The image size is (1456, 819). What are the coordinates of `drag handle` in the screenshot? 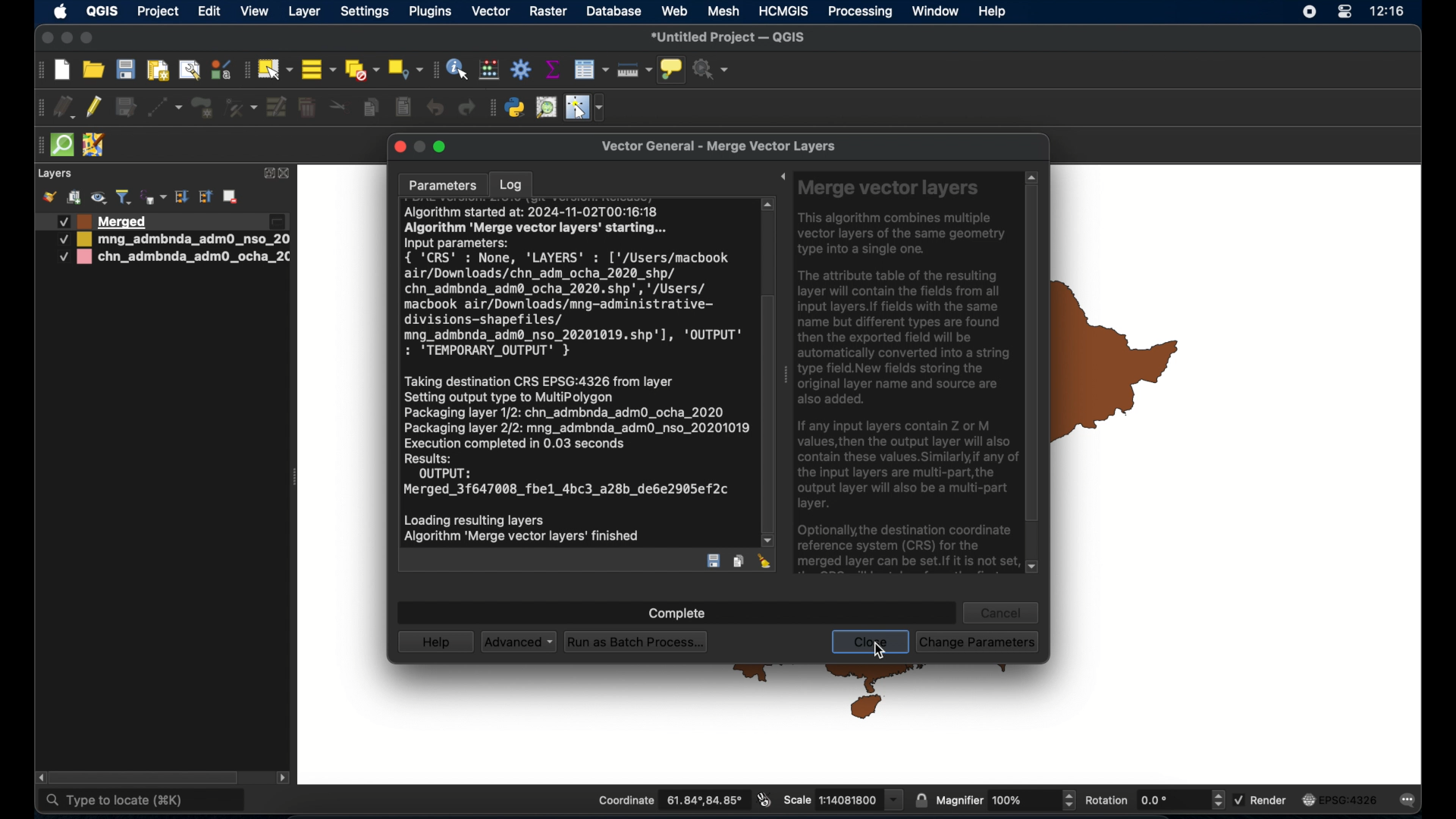 It's located at (36, 146).